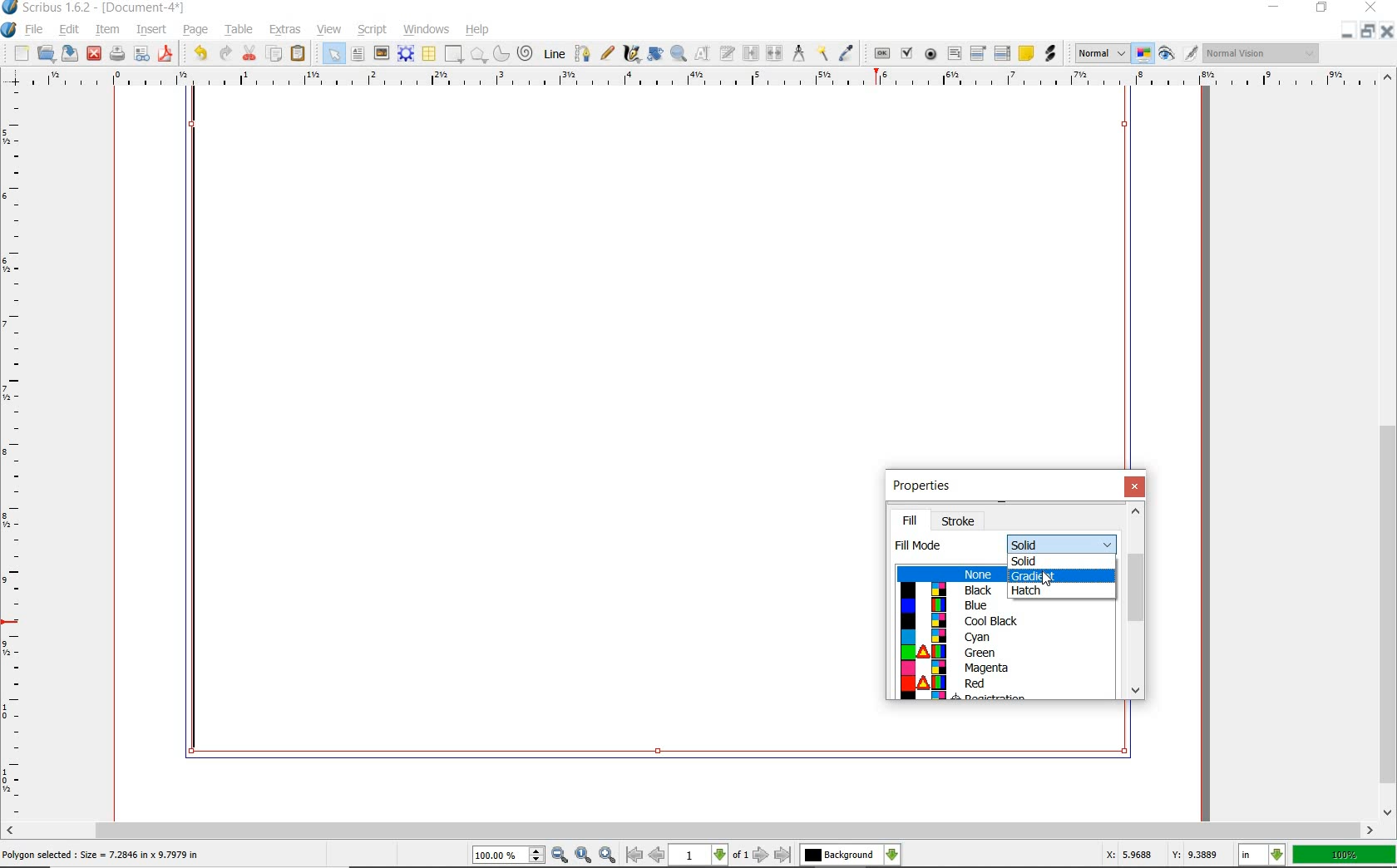  I want to click on minimize, so click(1350, 32).